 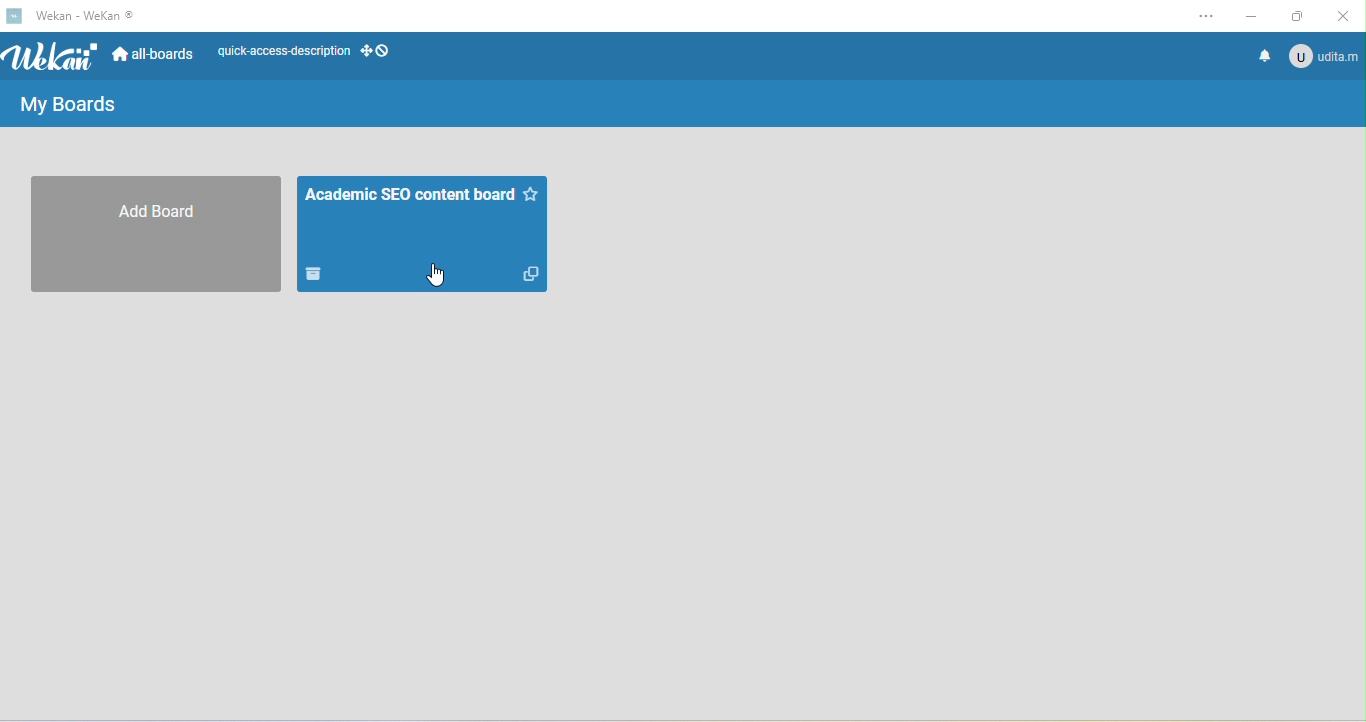 I want to click on desktop grab handles, so click(x=372, y=52).